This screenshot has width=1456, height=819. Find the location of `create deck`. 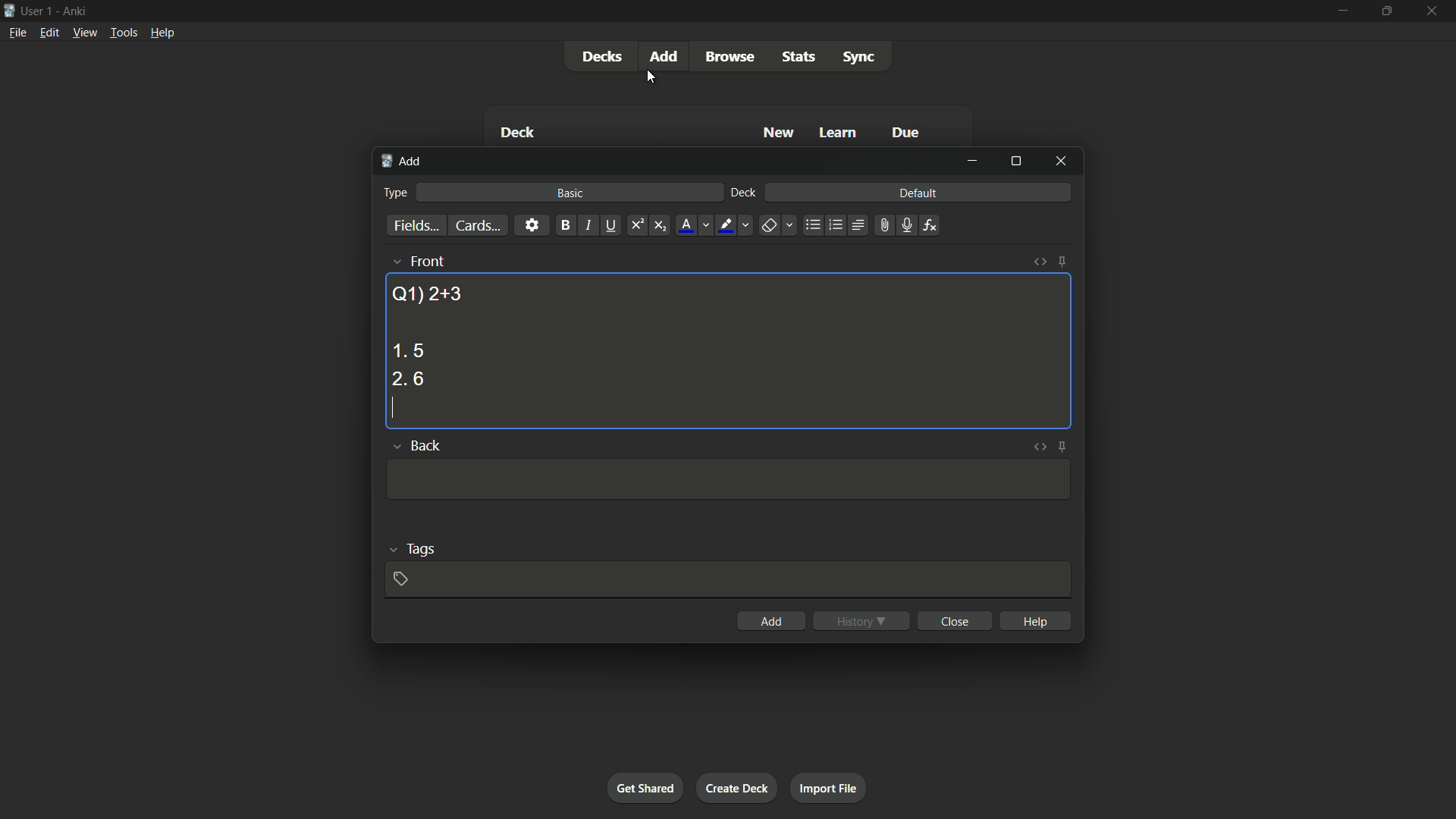

create deck is located at coordinates (736, 787).